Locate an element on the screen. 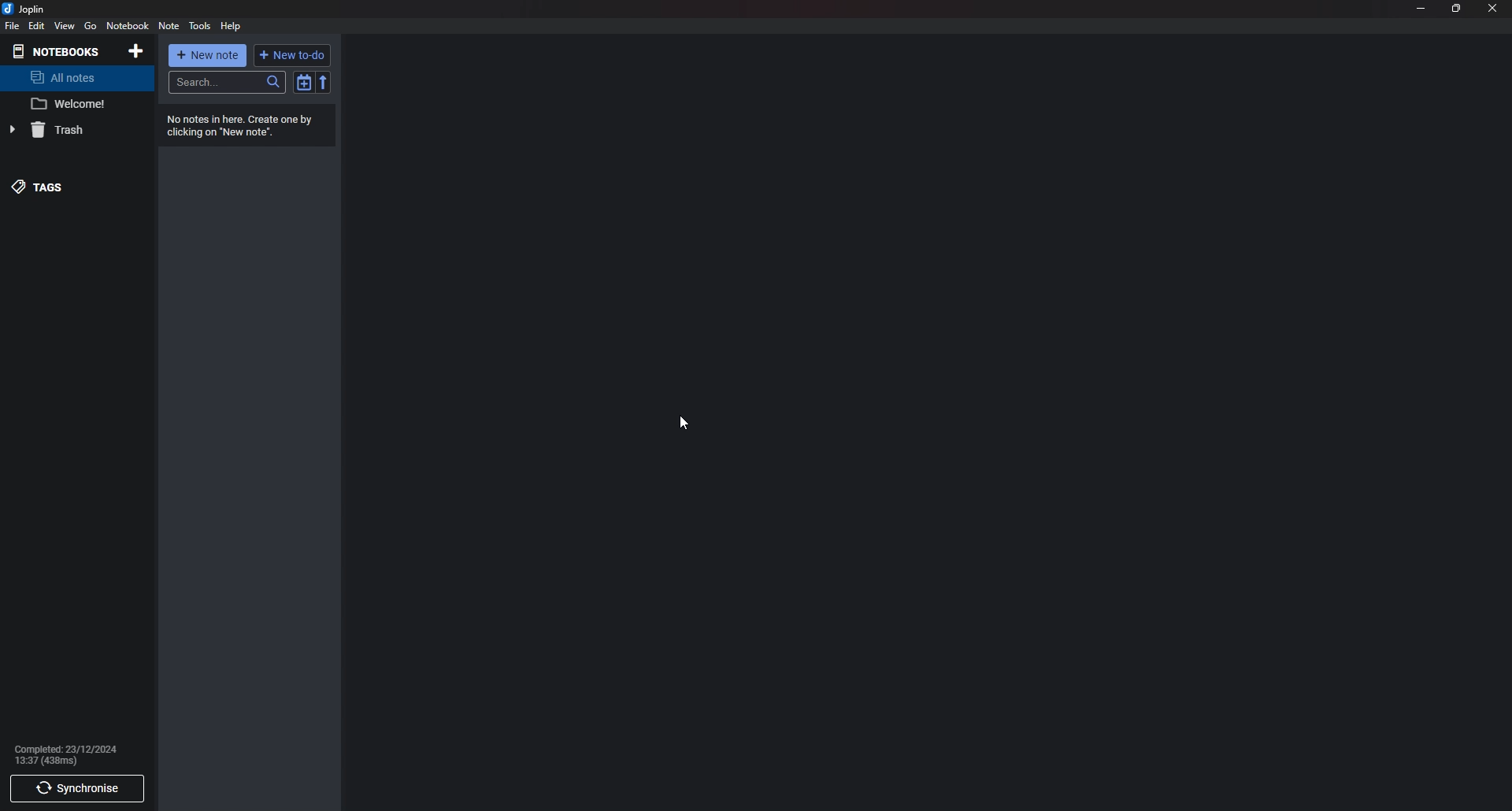  Add notebooks is located at coordinates (135, 52).